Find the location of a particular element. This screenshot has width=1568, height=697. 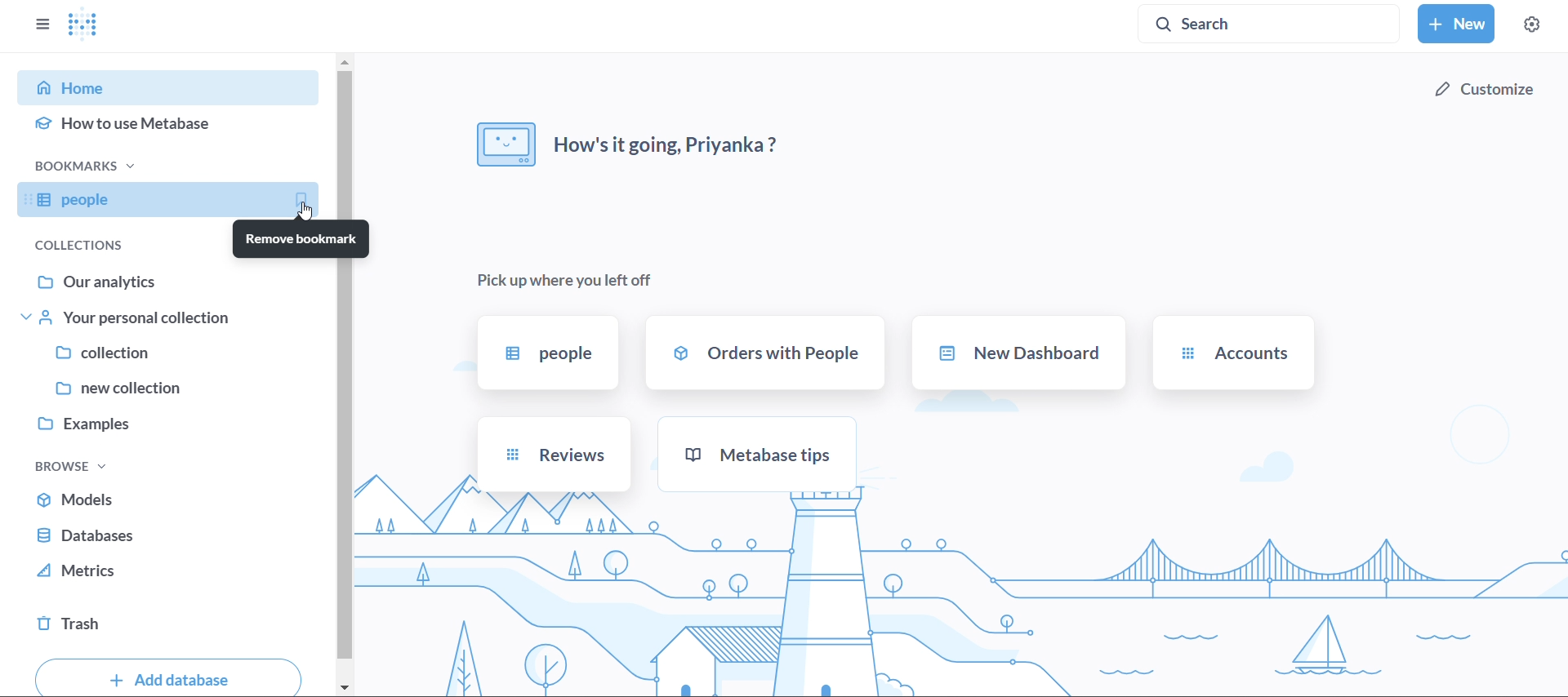

close sidebar is located at coordinates (42, 26).